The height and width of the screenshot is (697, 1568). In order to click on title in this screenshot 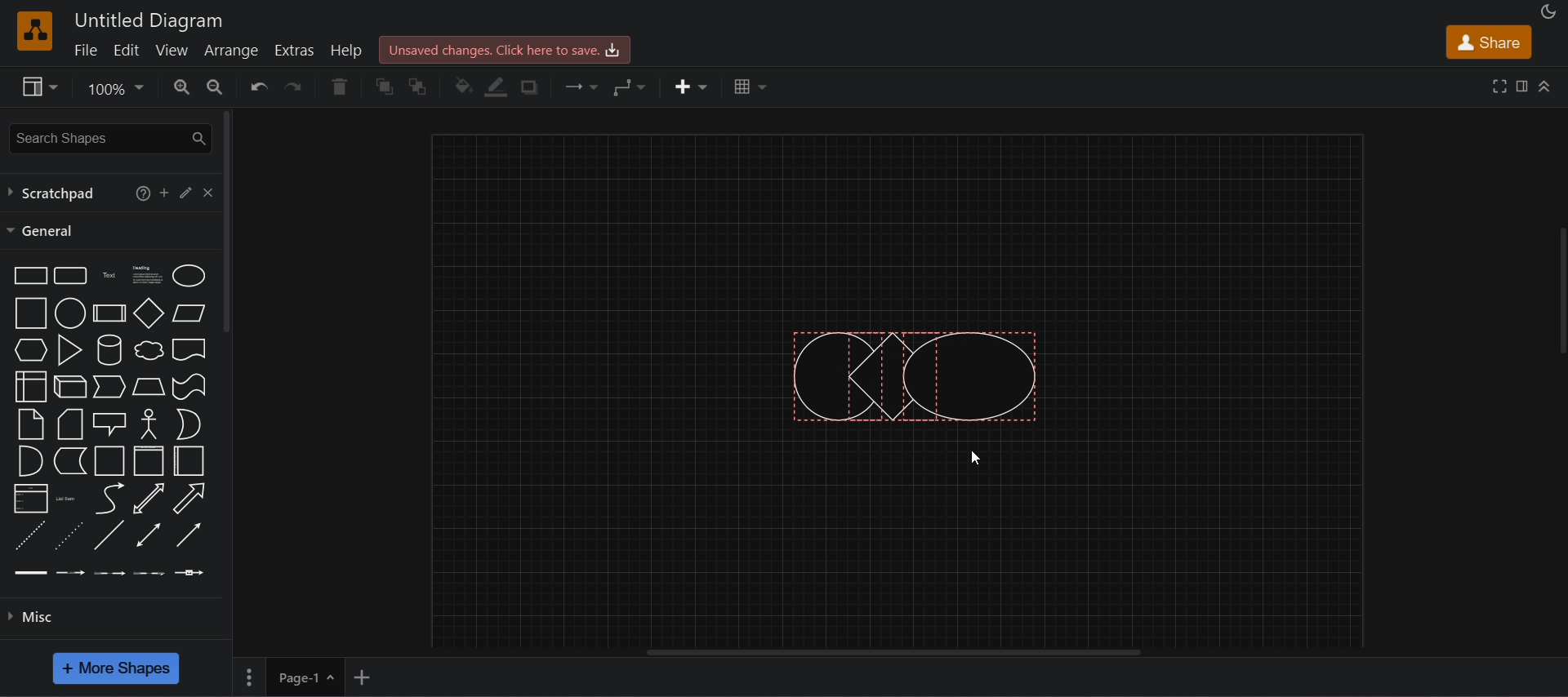, I will do `click(149, 21)`.